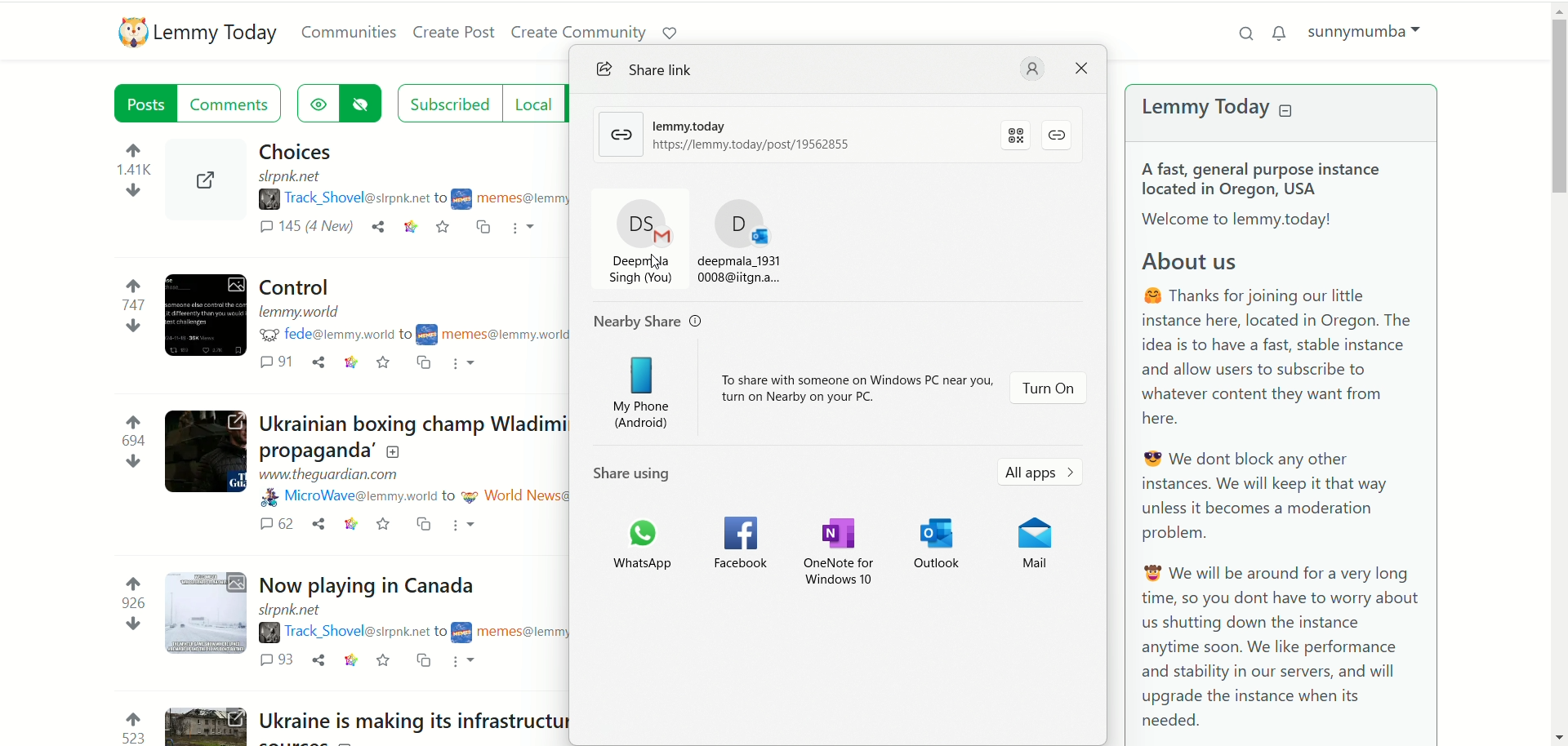  Describe the element at coordinates (127, 726) in the screenshot. I see `votes up and down` at that location.